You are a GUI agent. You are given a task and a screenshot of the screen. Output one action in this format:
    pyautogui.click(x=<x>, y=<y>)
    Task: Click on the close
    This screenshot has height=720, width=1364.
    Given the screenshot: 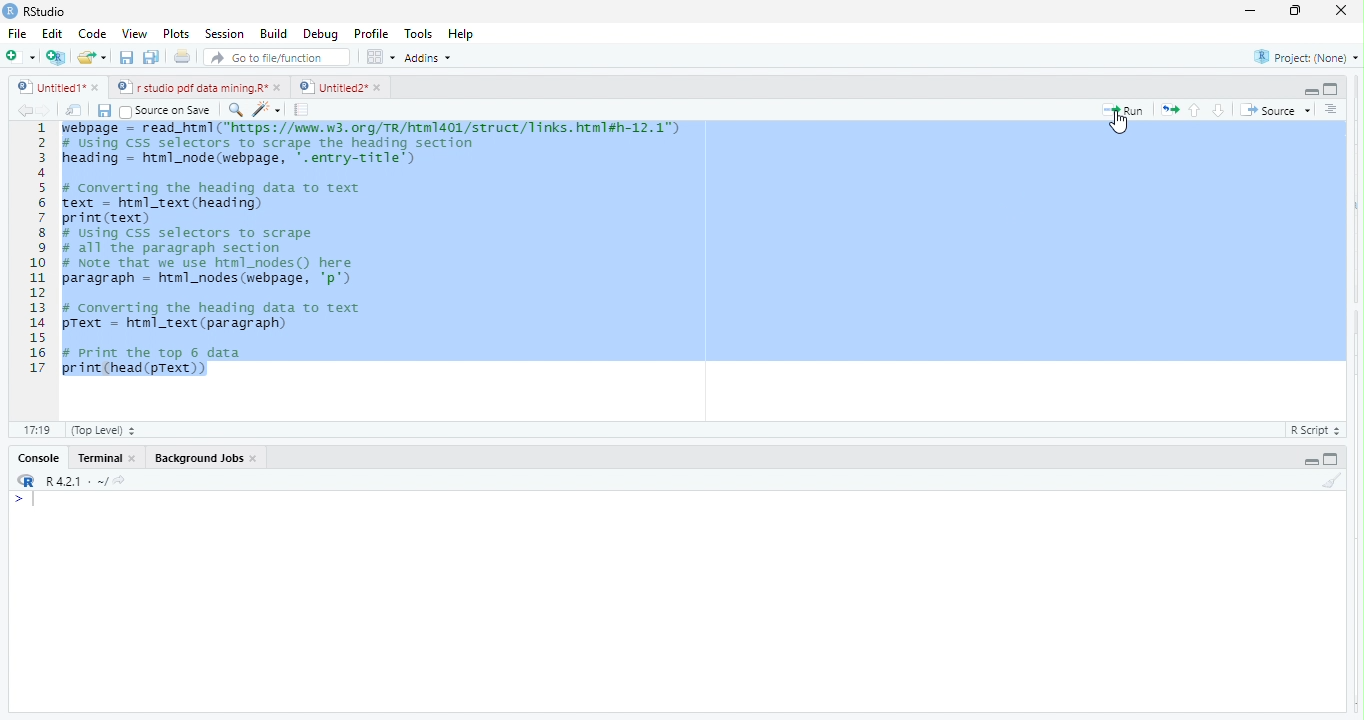 What is the action you would take?
    pyautogui.click(x=98, y=89)
    